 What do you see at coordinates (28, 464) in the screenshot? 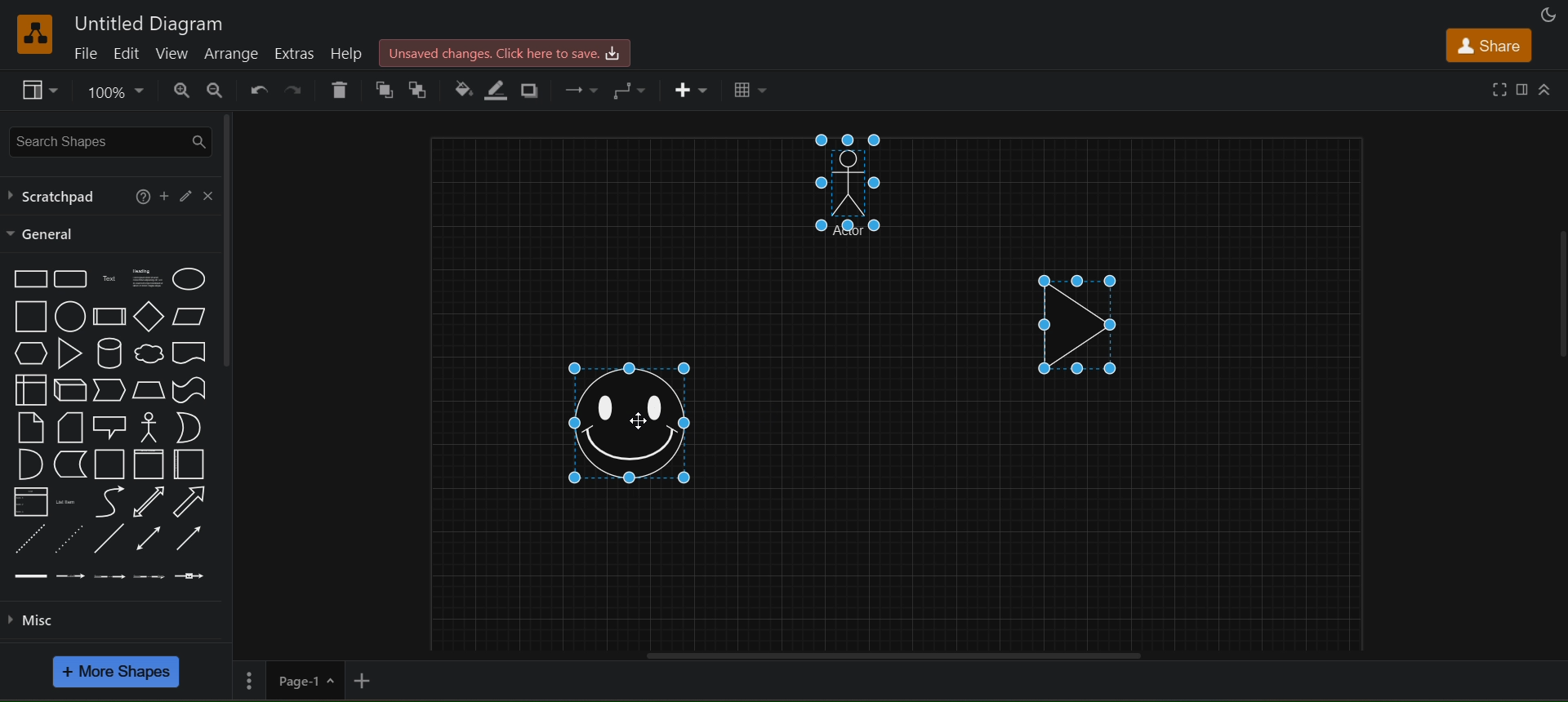
I see `and` at bounding box center [28, 464].